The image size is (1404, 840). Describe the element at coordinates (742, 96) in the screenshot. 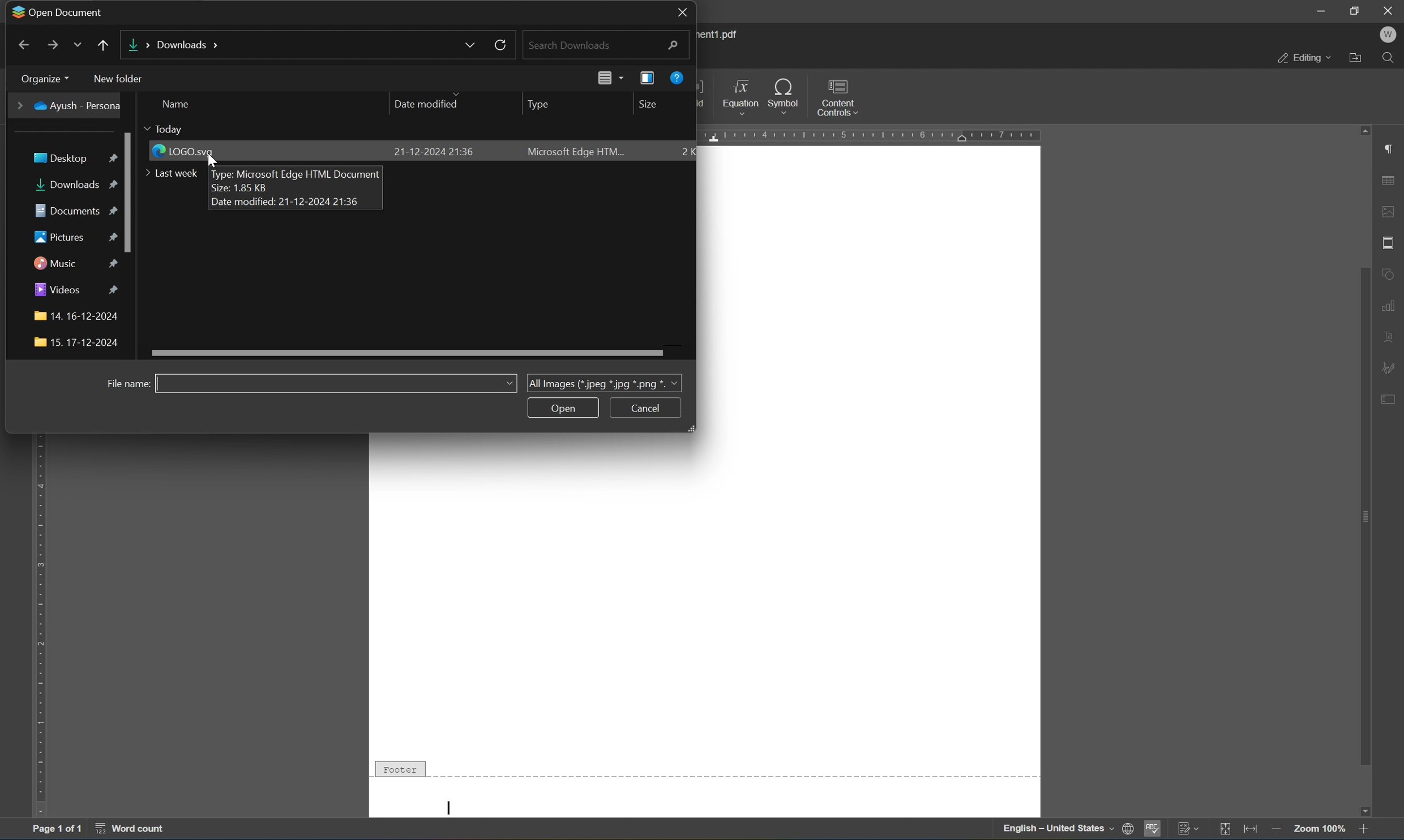

I see `equation` at that location.